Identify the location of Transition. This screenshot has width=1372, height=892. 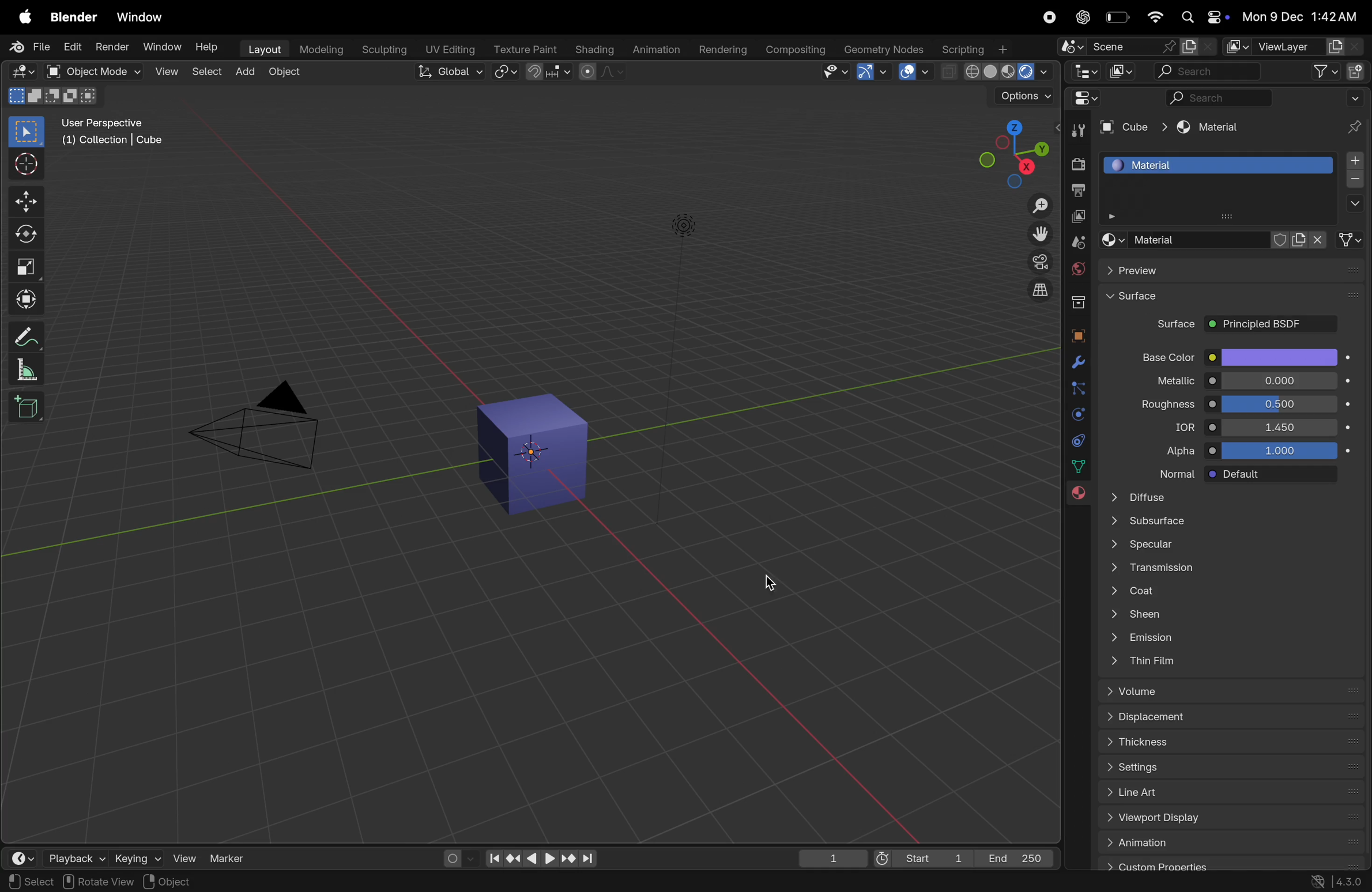
(1223, 570).